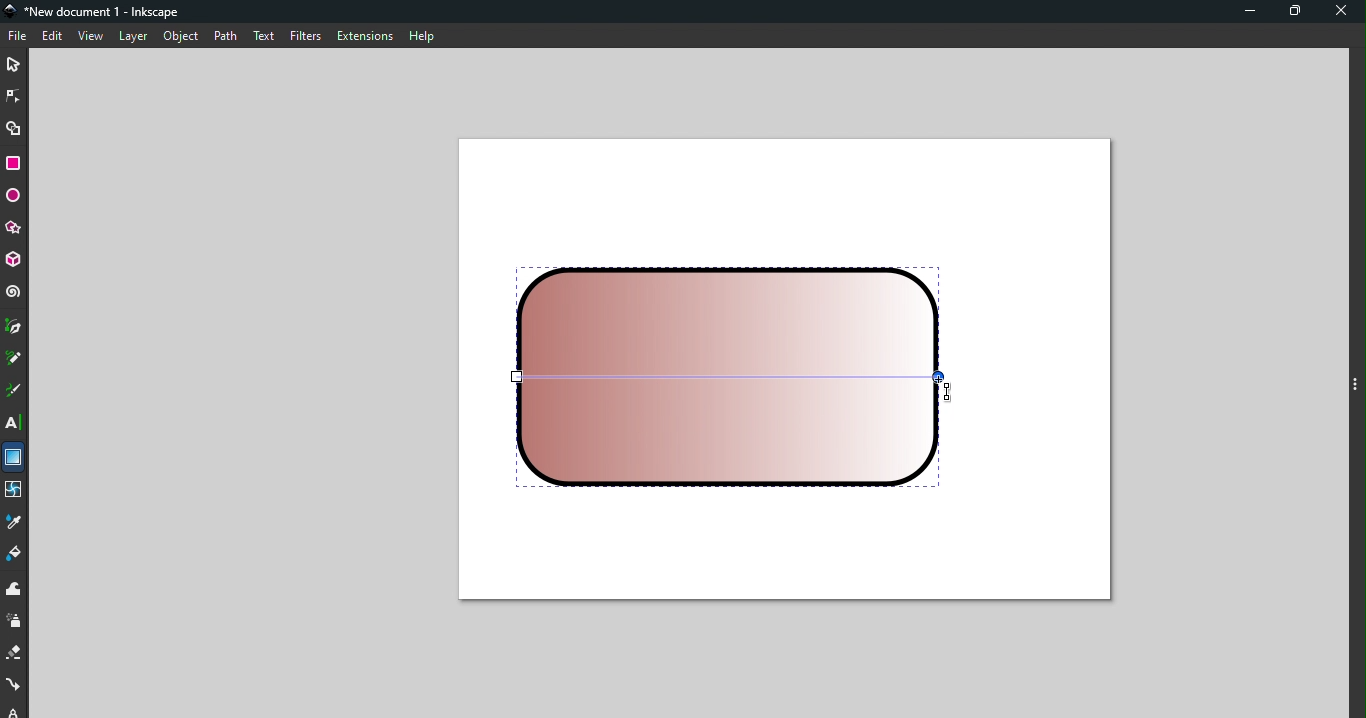 This screenshot has width=1366, height=718. Describe the element at coordinates (14, 360) in the screenshot. I see `Pencil tool` at that location.